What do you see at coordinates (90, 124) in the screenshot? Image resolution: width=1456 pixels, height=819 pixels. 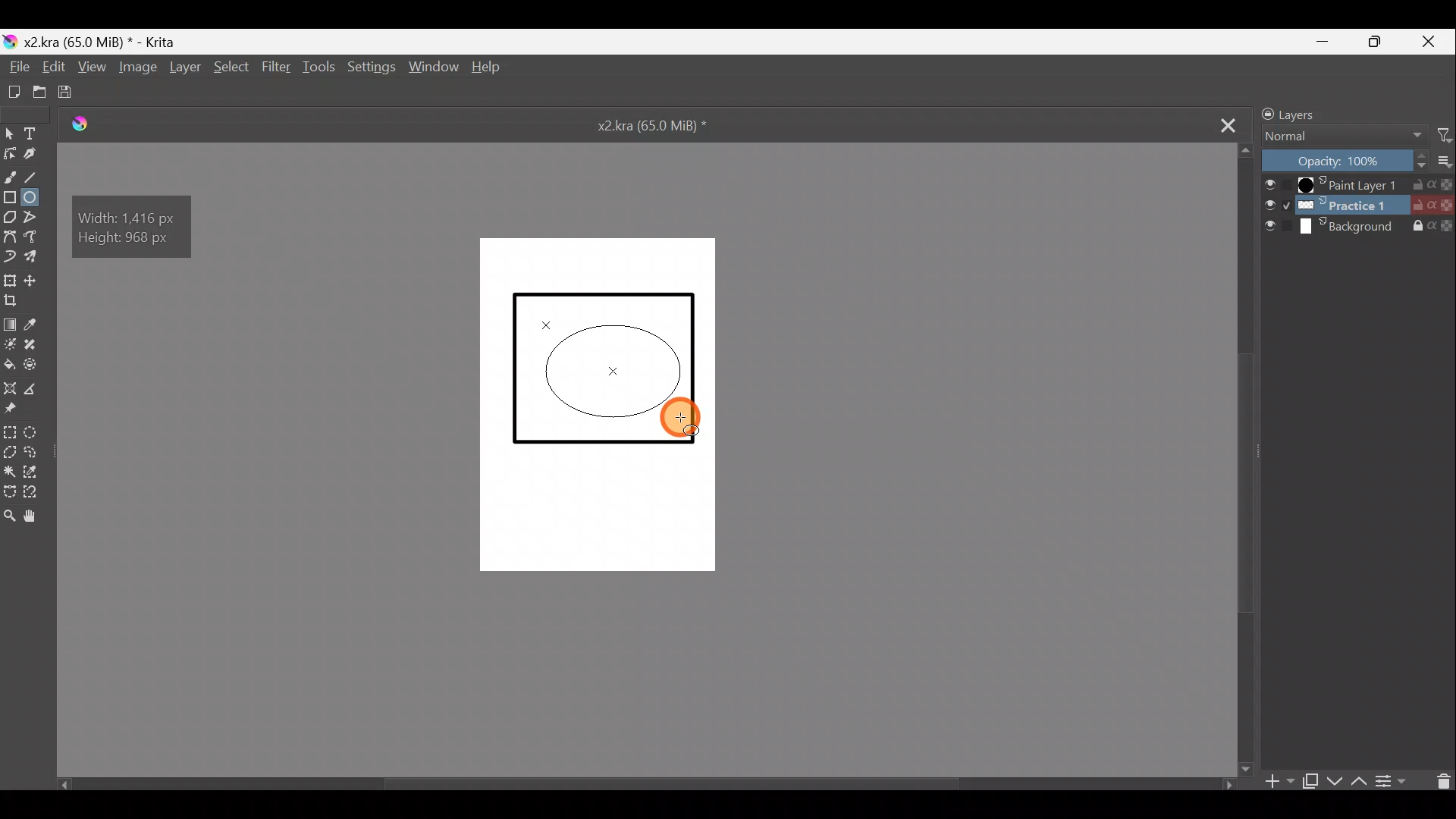 I see `Logo` at bounding box center [90, 124].